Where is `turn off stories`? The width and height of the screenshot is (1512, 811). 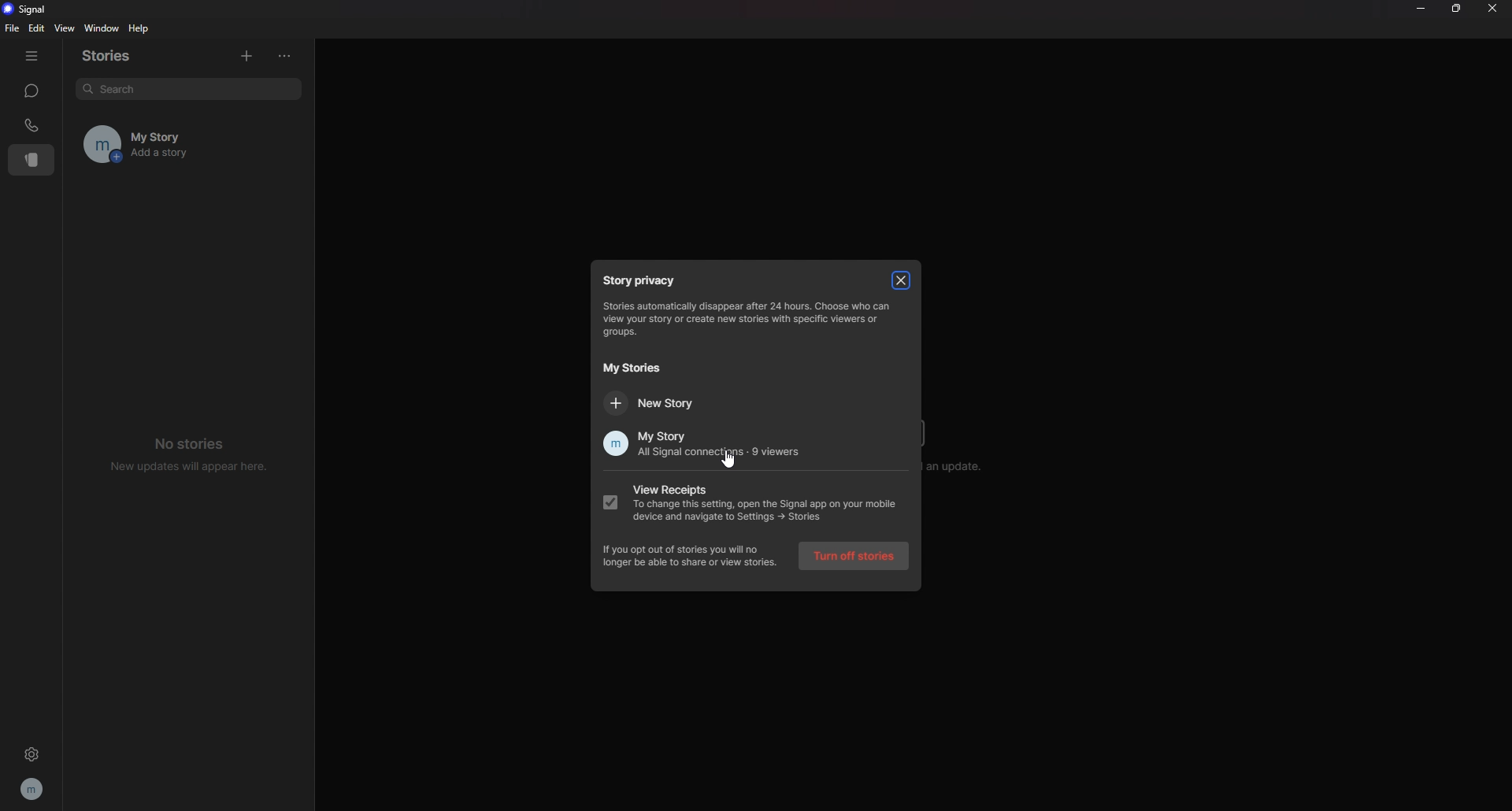
turn off stories is located at coordinates (855, 557).